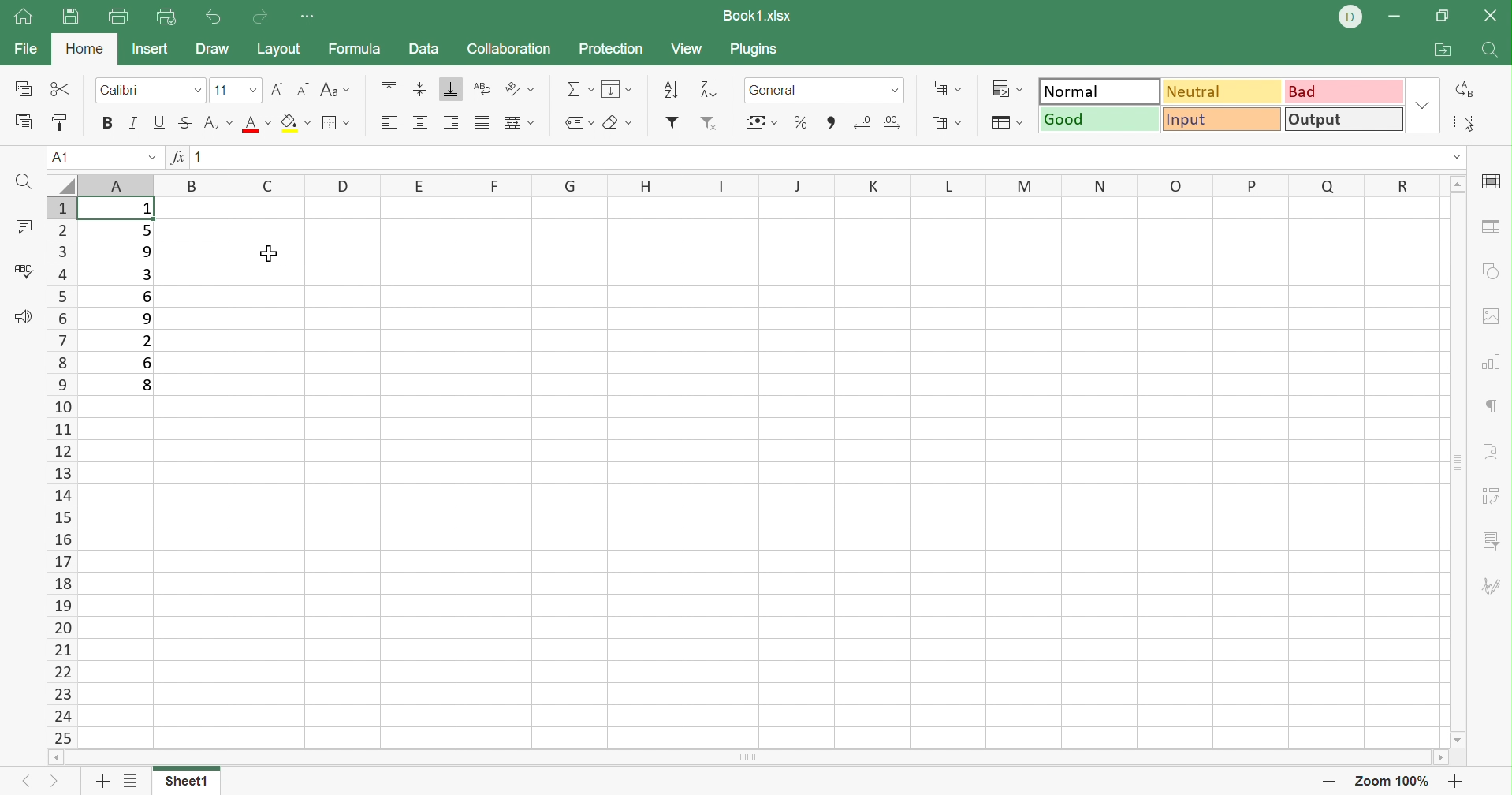 The width and height of the screenshot is (1512, 795). Describe the element at coordinates (776, 90) in the screenshot. I see `General` at that location.